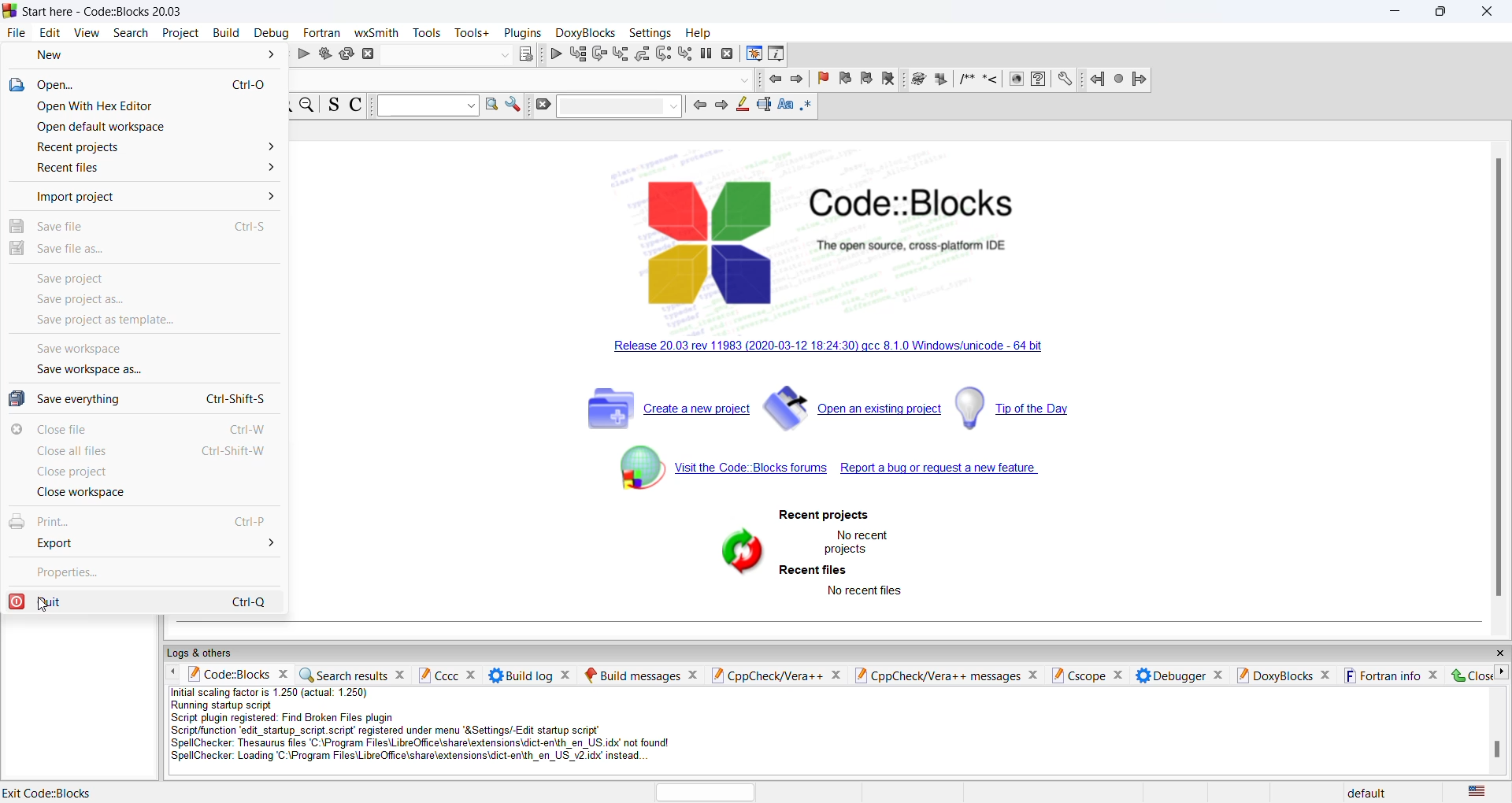  Describe the element at coordinates (1140, 80) in the screenshot. I see `jump forward` at that location.